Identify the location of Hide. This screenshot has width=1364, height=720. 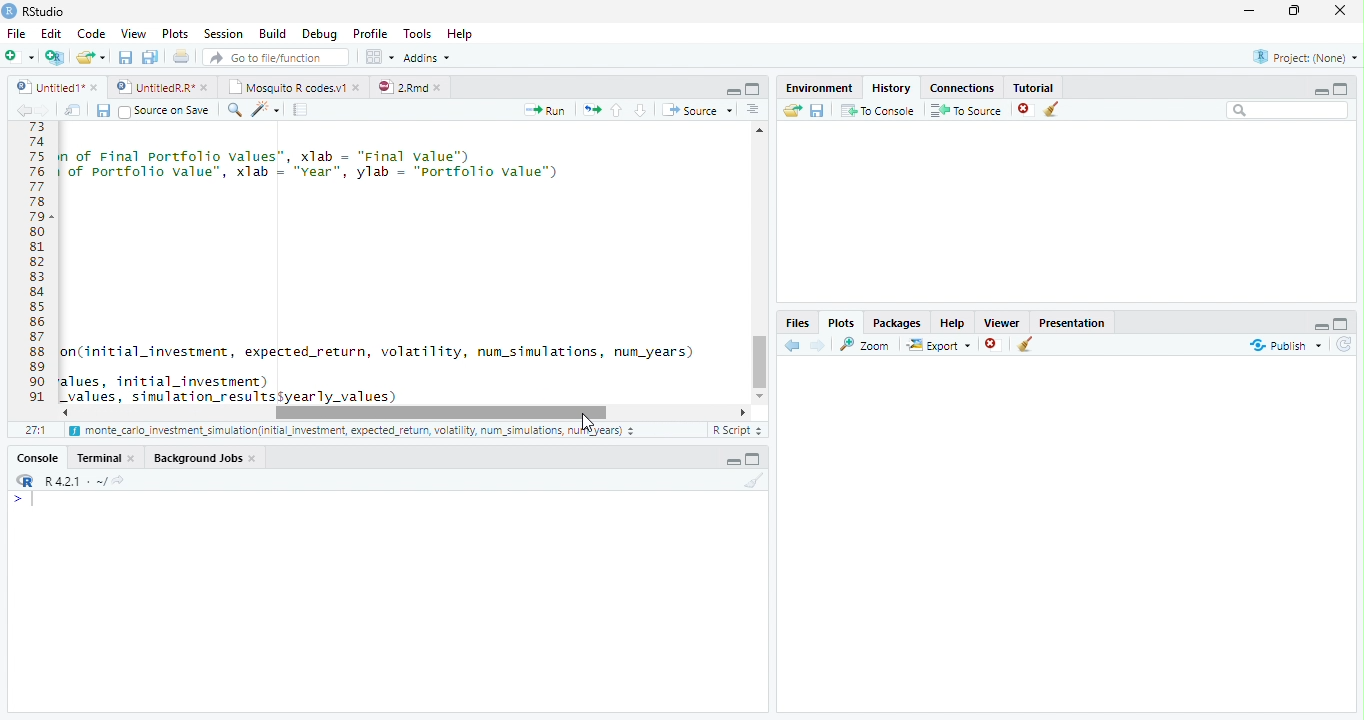
(732, 461).